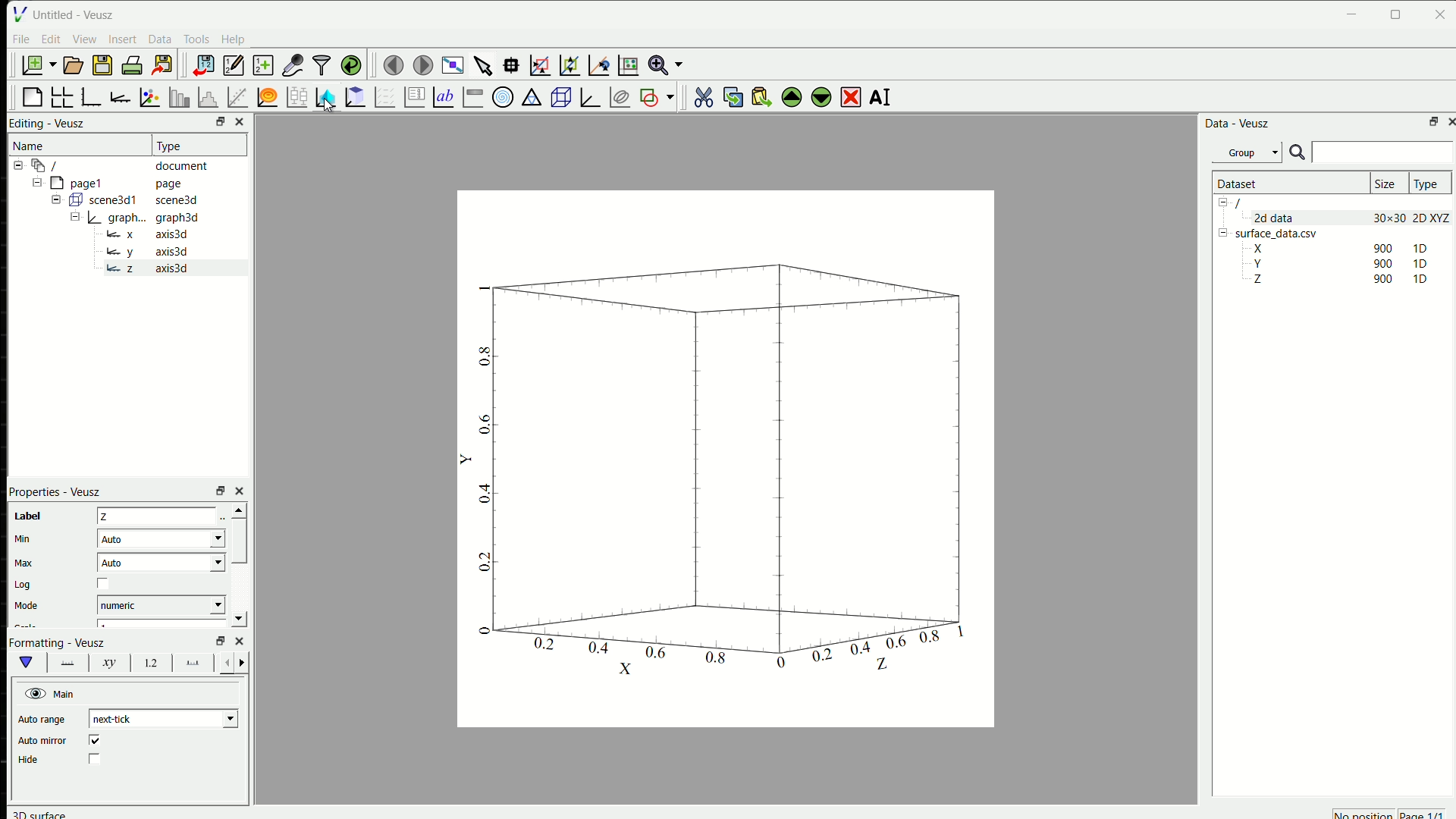  What do you see at coordinates (163, 64) in the screenshot?
I see `export to graphics formats` at bounding box center [163, 64].